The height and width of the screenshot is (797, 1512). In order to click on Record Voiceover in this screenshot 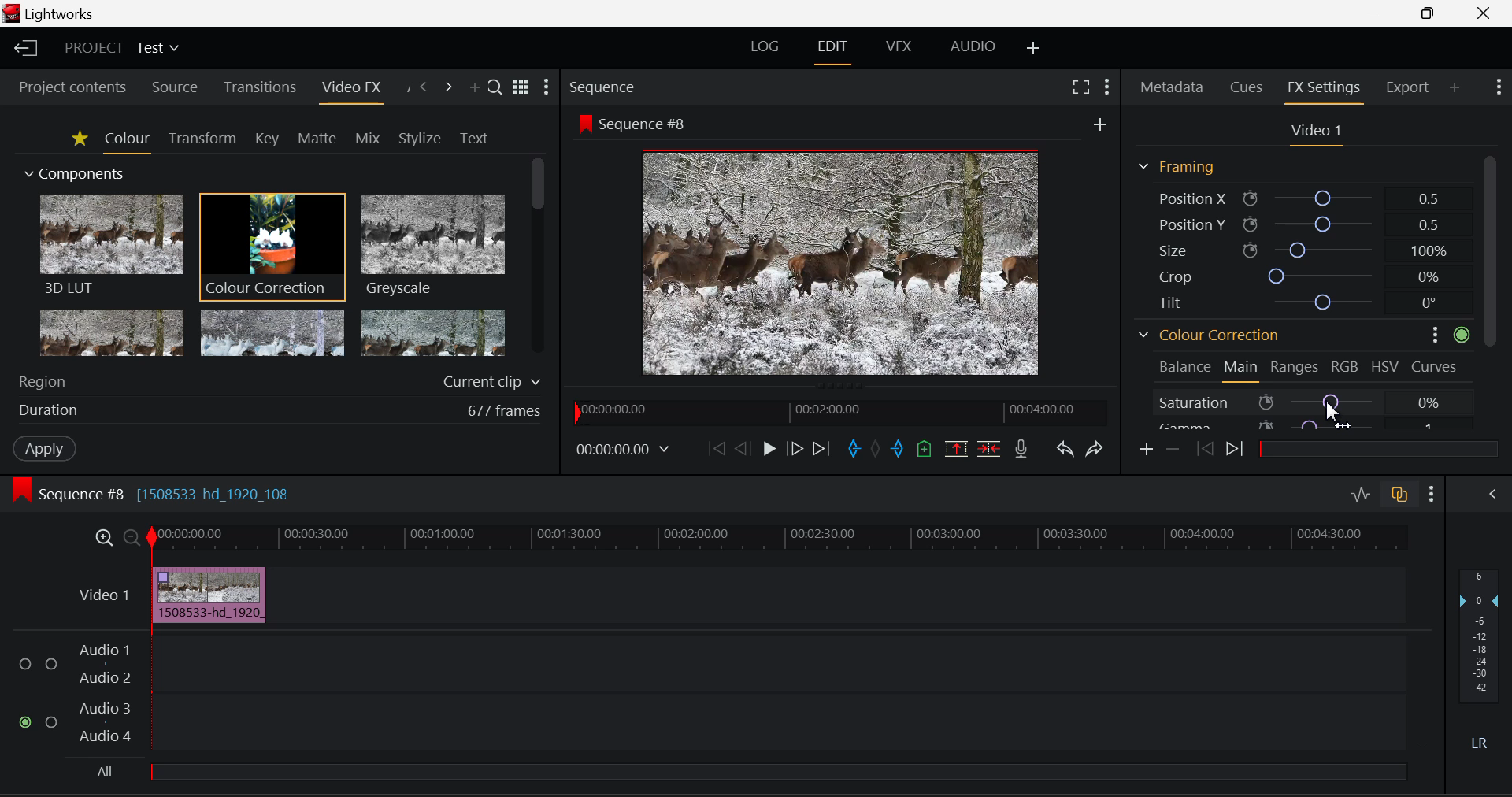, I will do `click(1022, 449)`.